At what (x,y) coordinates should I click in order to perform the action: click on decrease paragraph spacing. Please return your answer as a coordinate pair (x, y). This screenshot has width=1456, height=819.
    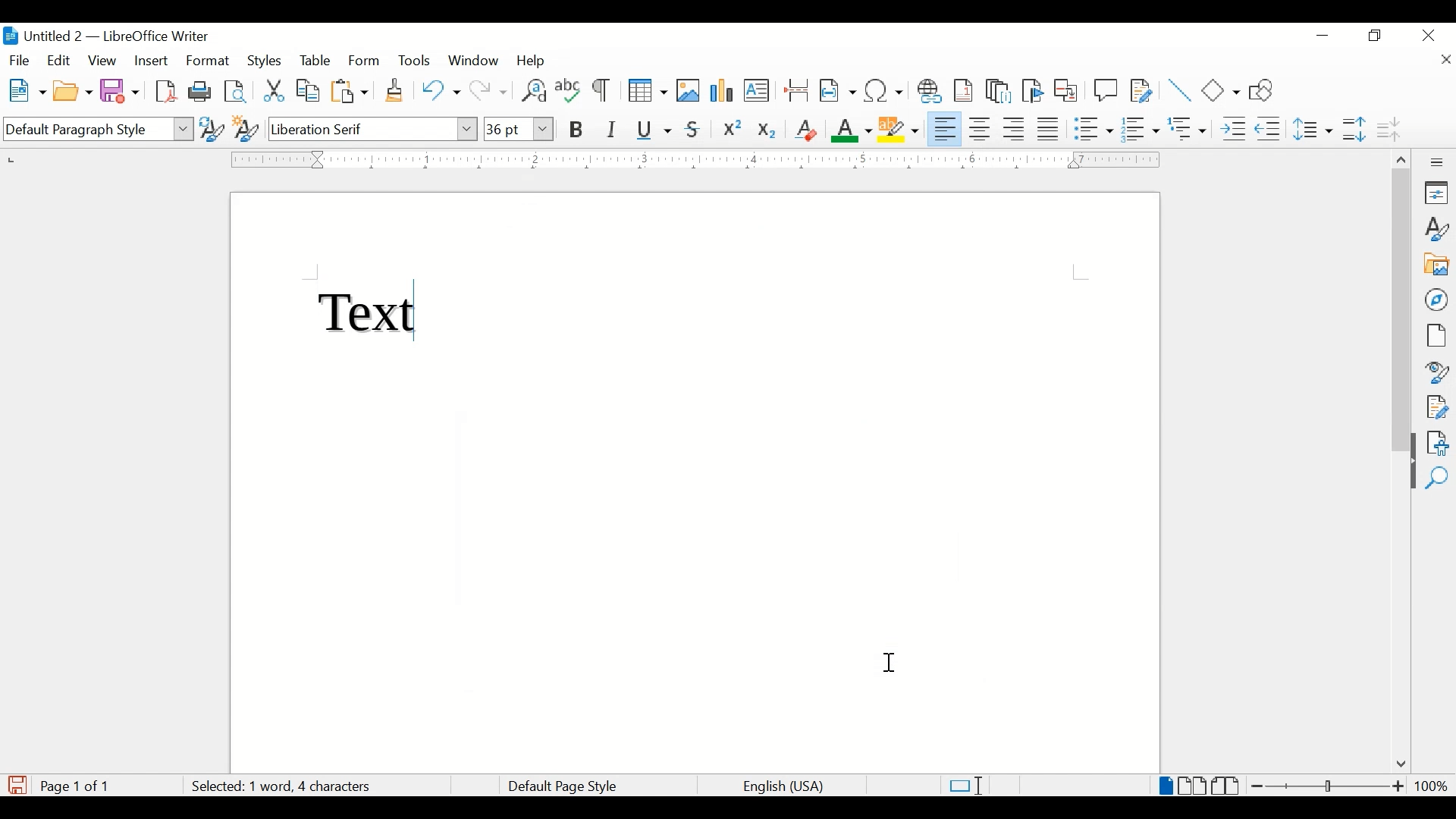
    Looking at the image, I should click on (1388, 128).